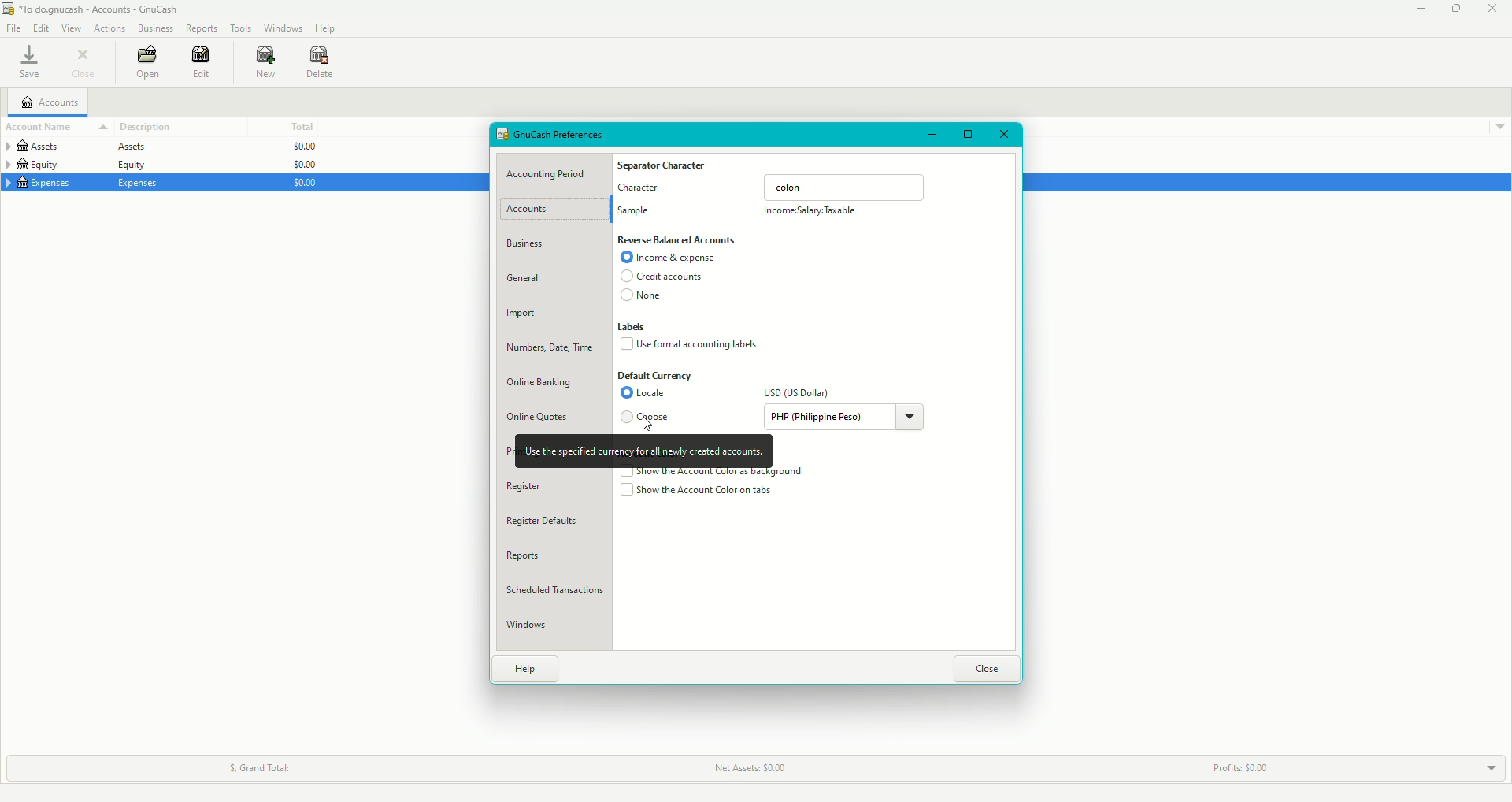 The height and width of the screenshot is (802, 1512). Describe the element at coordinates (693, 343) in the screenshot. I see `Use formal accounting labels` at that location.